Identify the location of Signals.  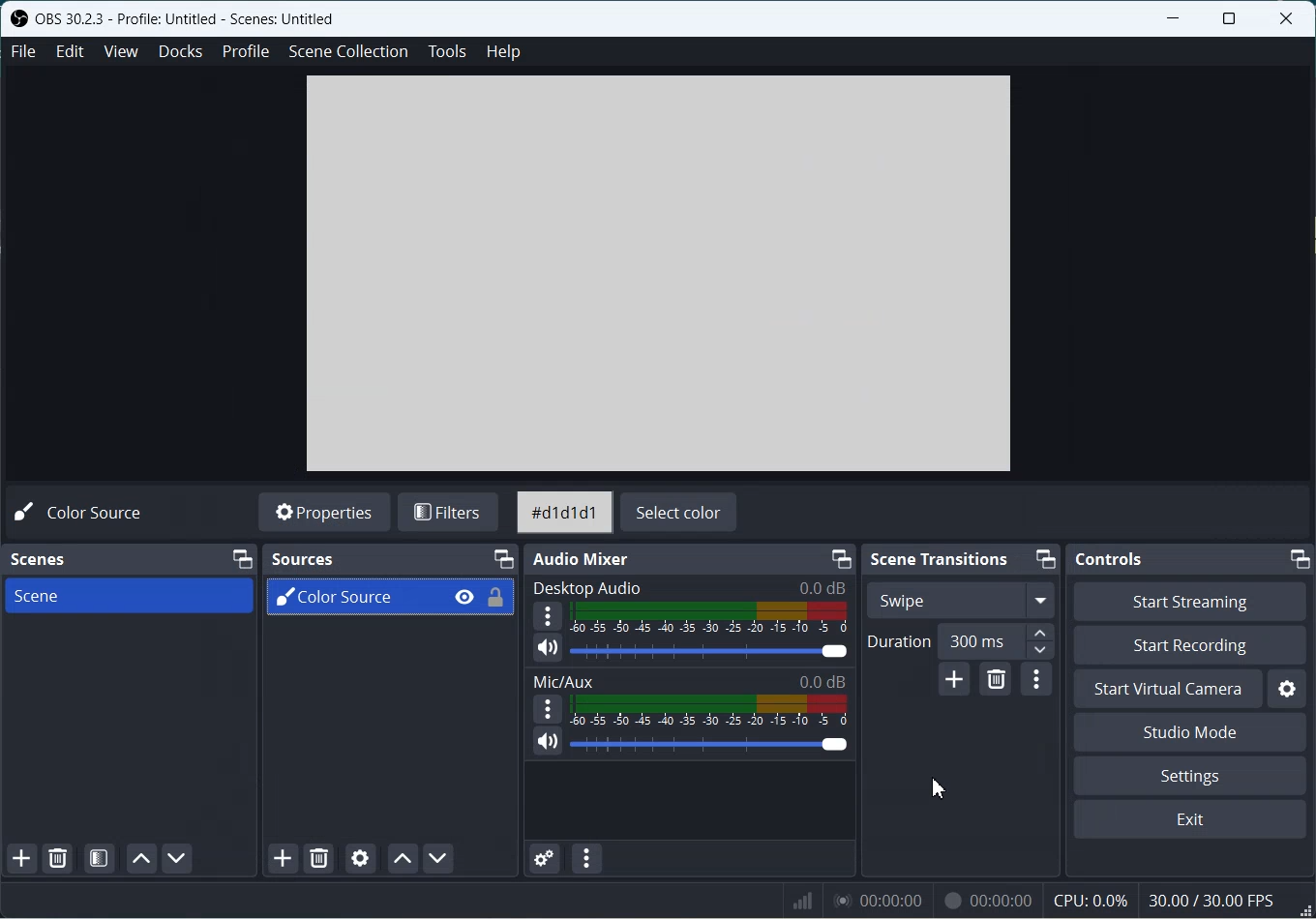
(795, 898).